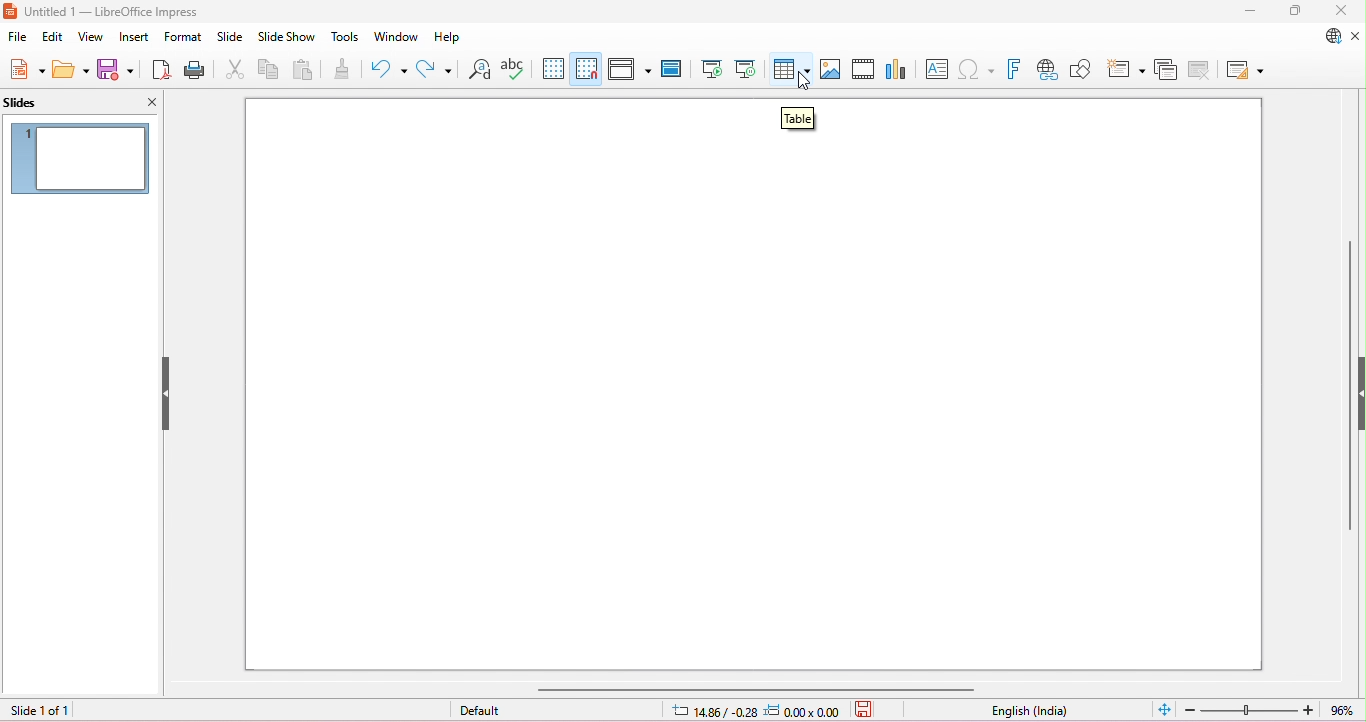 This screenshot has height=722, width=1366. What do you see at coordinates (755, 689) in the screenshot?
I see `horizontal scroll bar` at bounding box center [755, 689].